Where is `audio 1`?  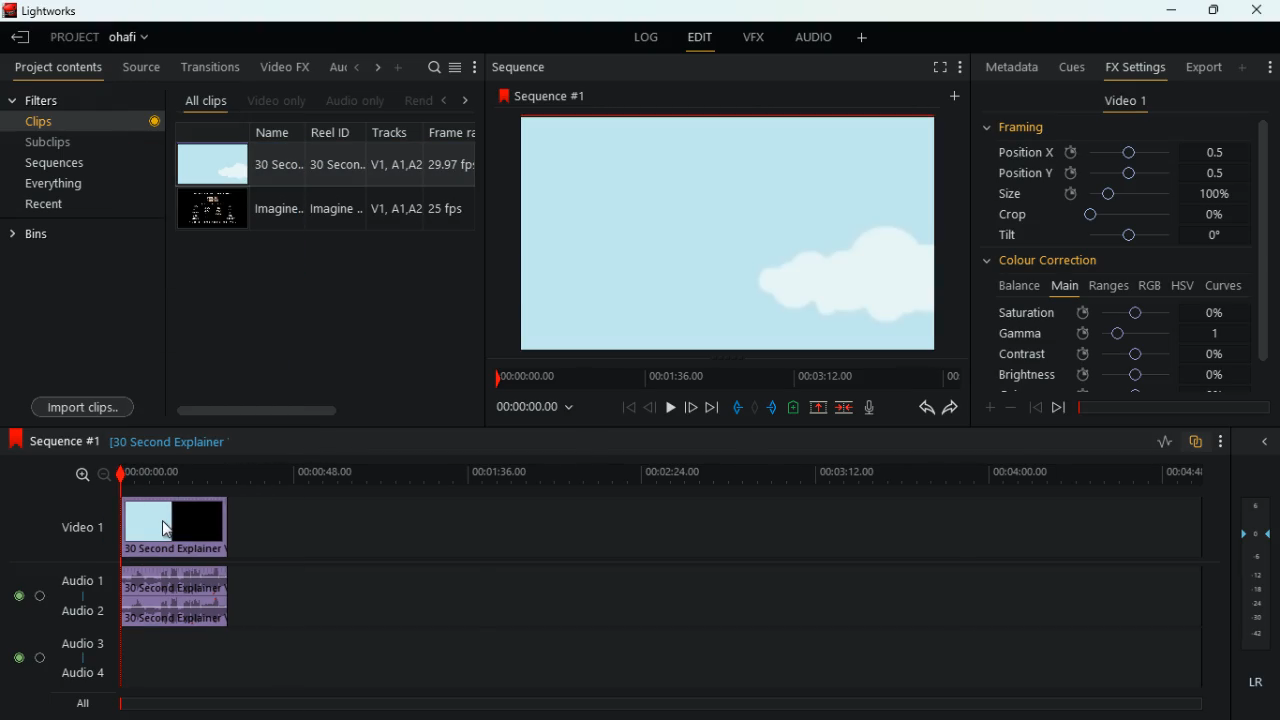 audio 1 is located at coordinates (84, 580).